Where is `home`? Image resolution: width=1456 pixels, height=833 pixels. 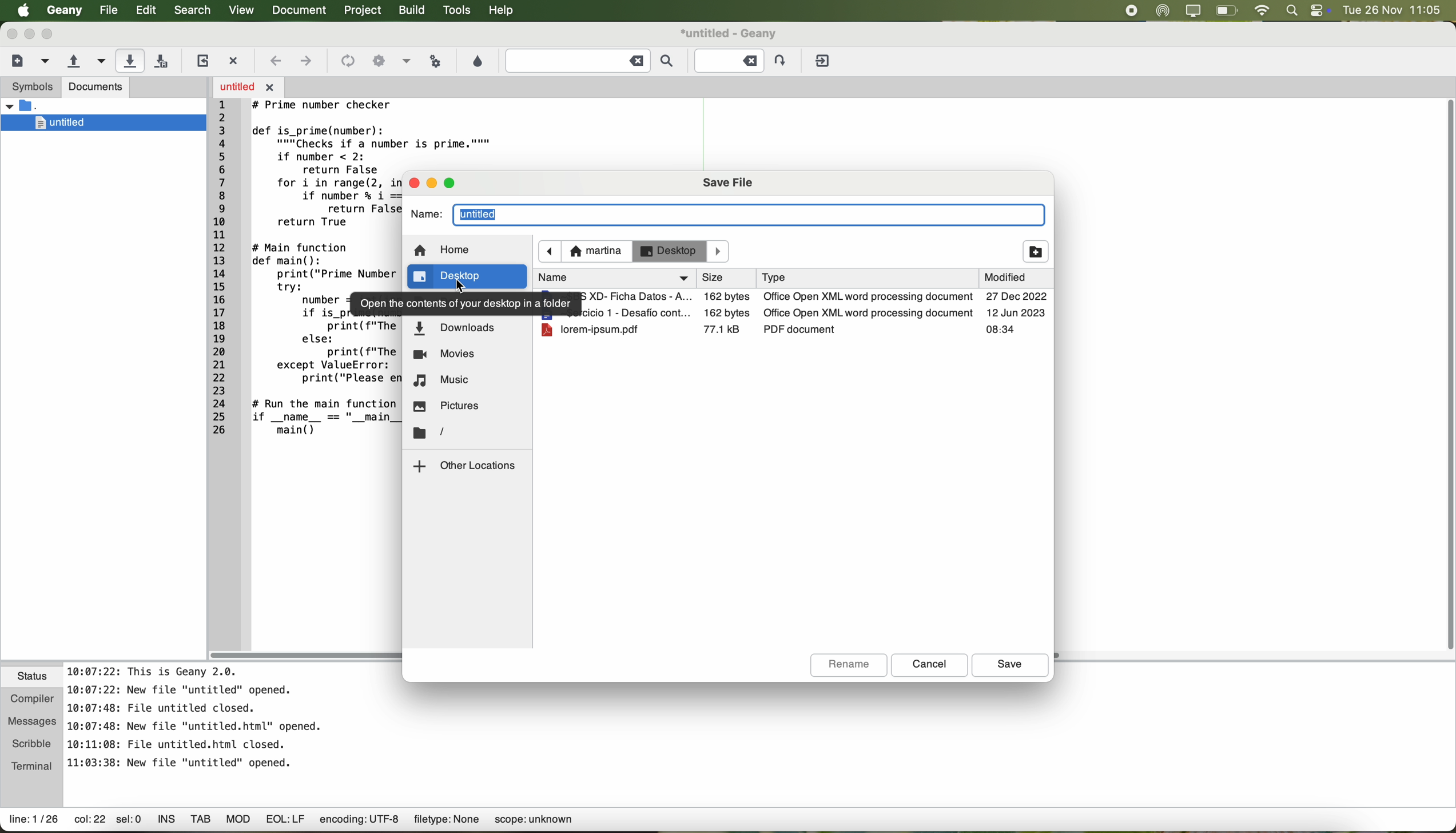
home is located at coordinates (443, 251).